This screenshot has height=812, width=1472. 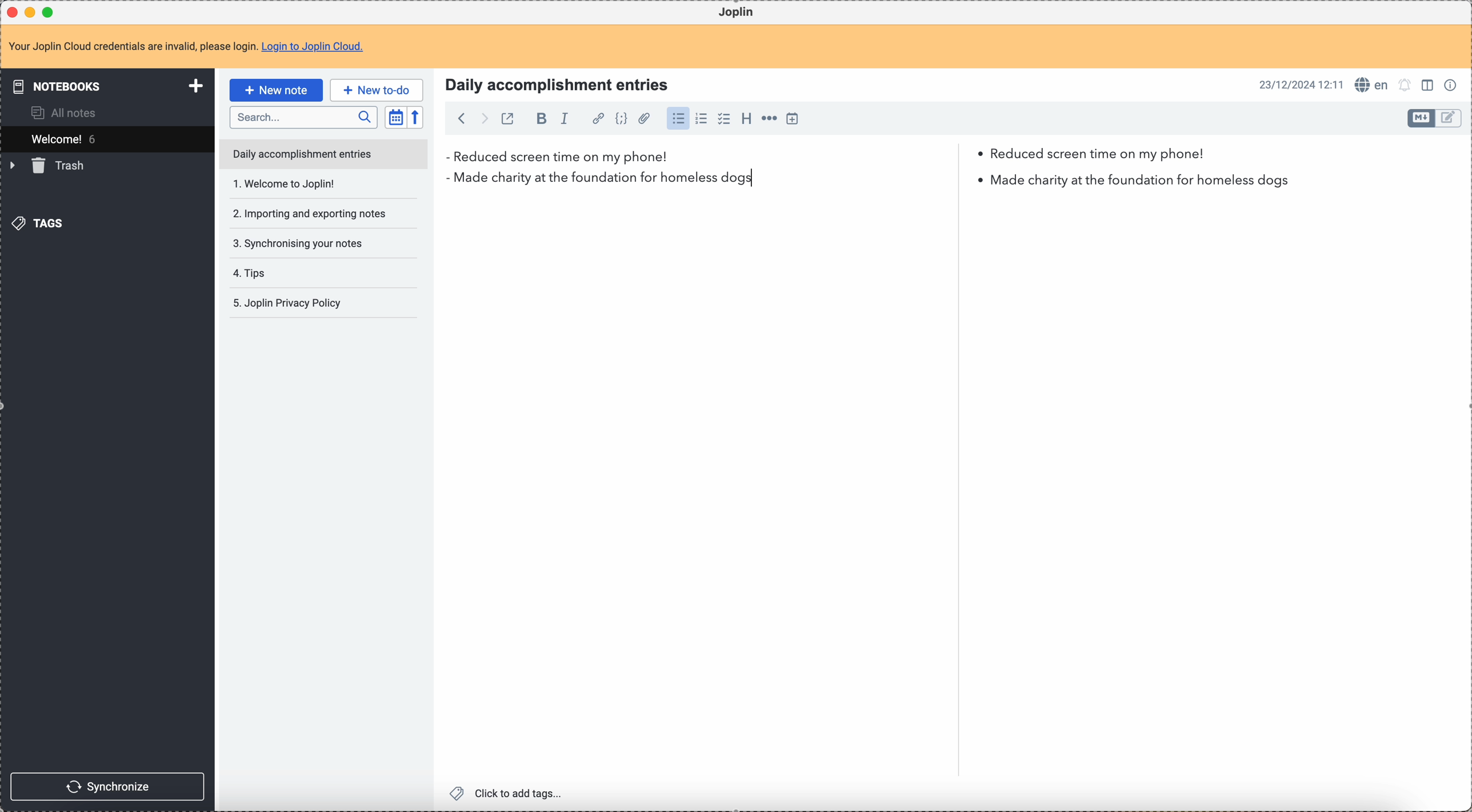 I want to click on click on new note, so click(x=275, y=90).